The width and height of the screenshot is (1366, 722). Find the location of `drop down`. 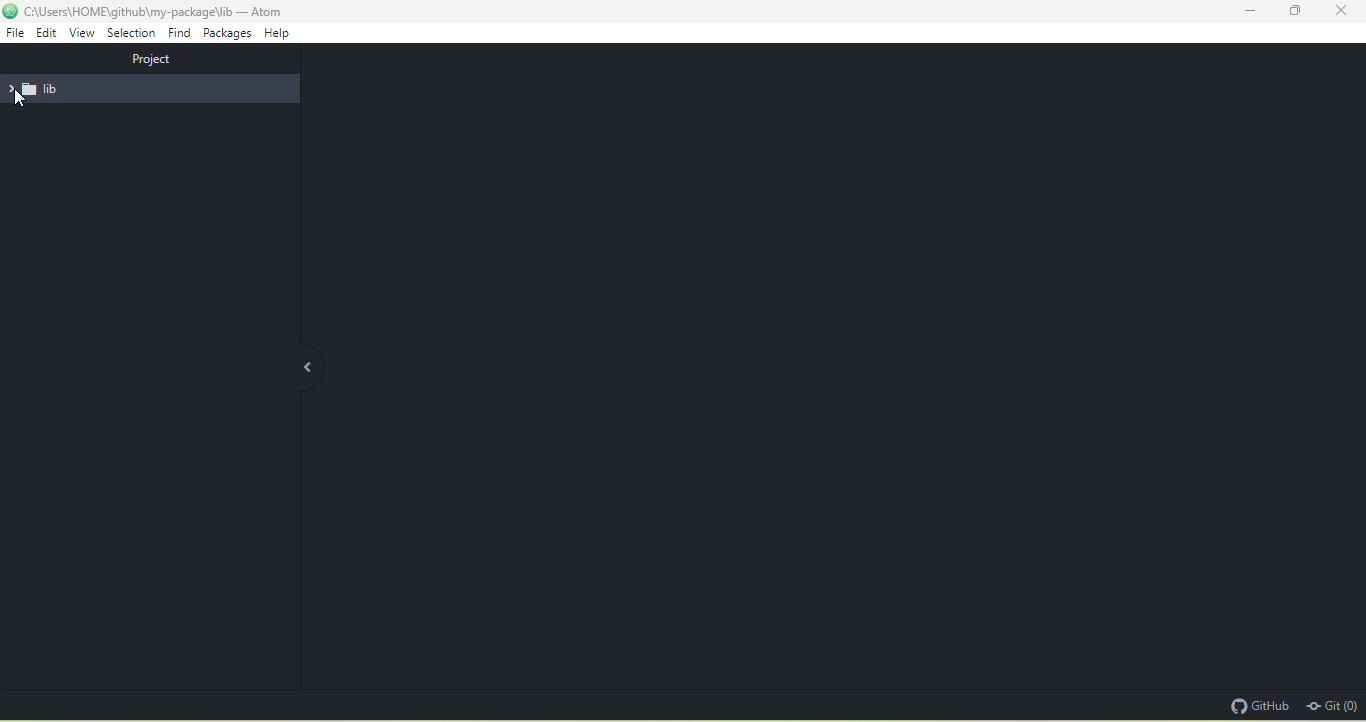

drop down is located at coordinates (12, 88).